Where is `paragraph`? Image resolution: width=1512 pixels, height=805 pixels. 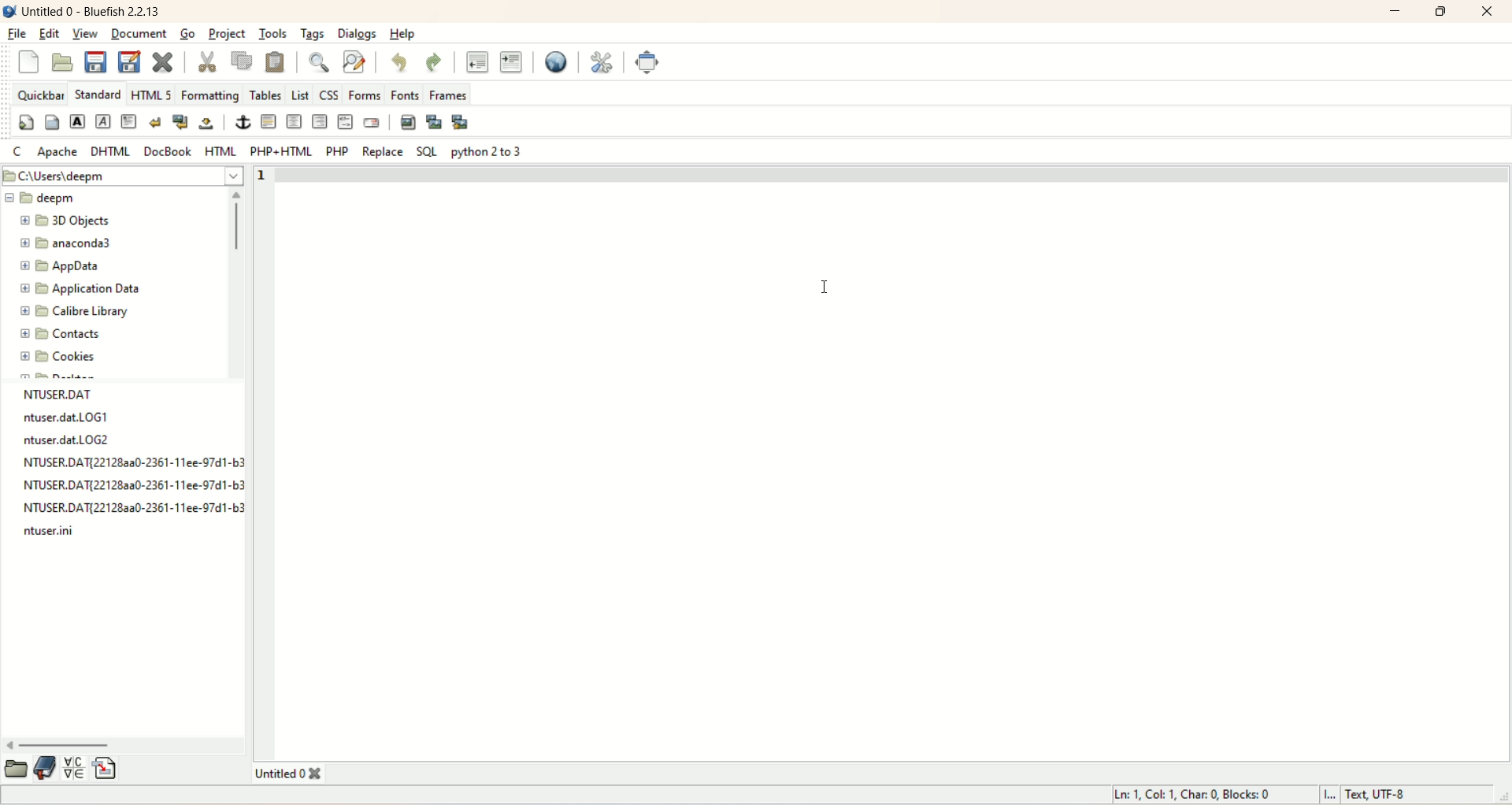 paragraph is located at coordinates (128, 123).